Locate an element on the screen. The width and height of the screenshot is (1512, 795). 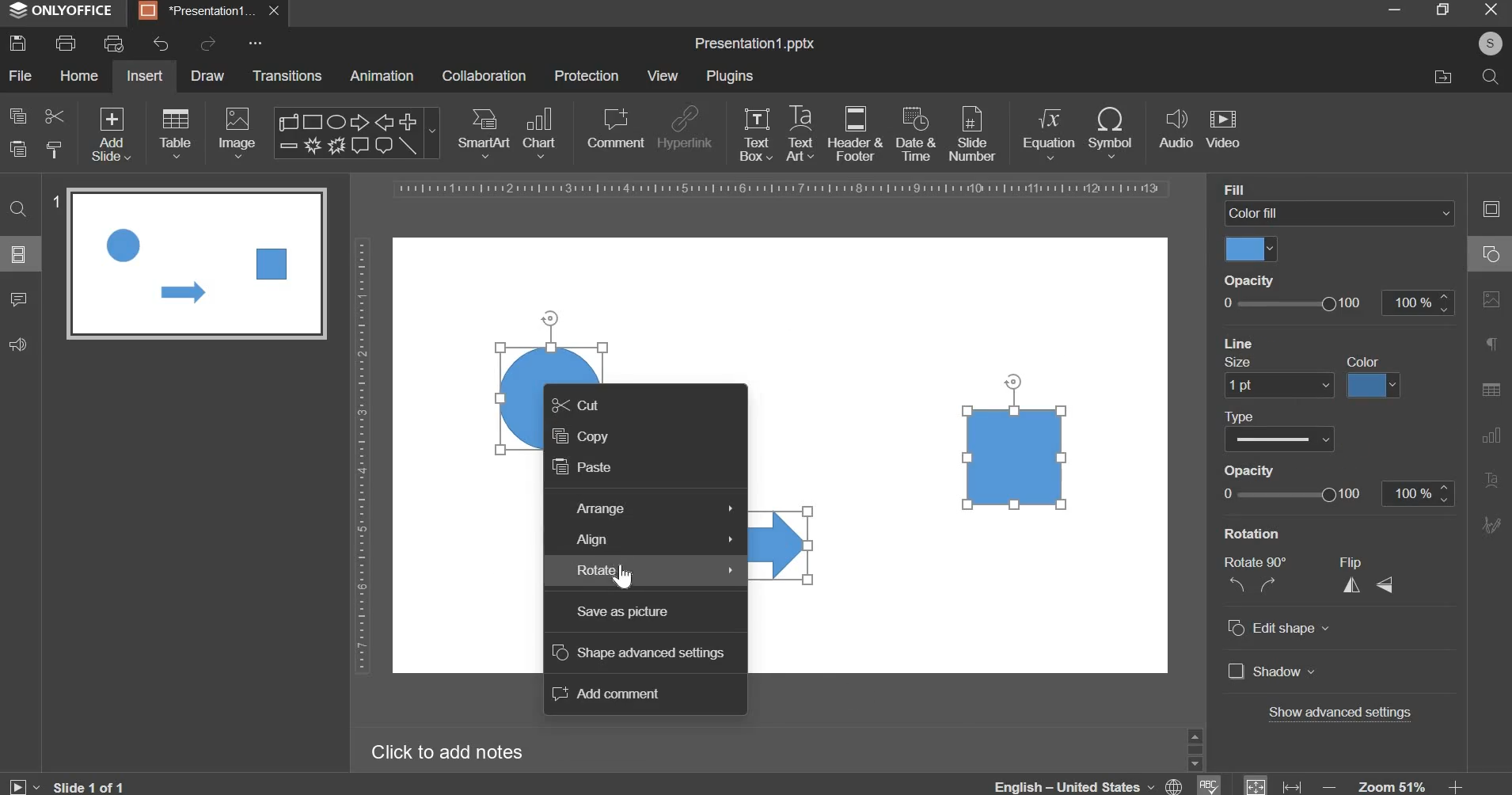
shape advanced settings is located at coordinates (639, 653).